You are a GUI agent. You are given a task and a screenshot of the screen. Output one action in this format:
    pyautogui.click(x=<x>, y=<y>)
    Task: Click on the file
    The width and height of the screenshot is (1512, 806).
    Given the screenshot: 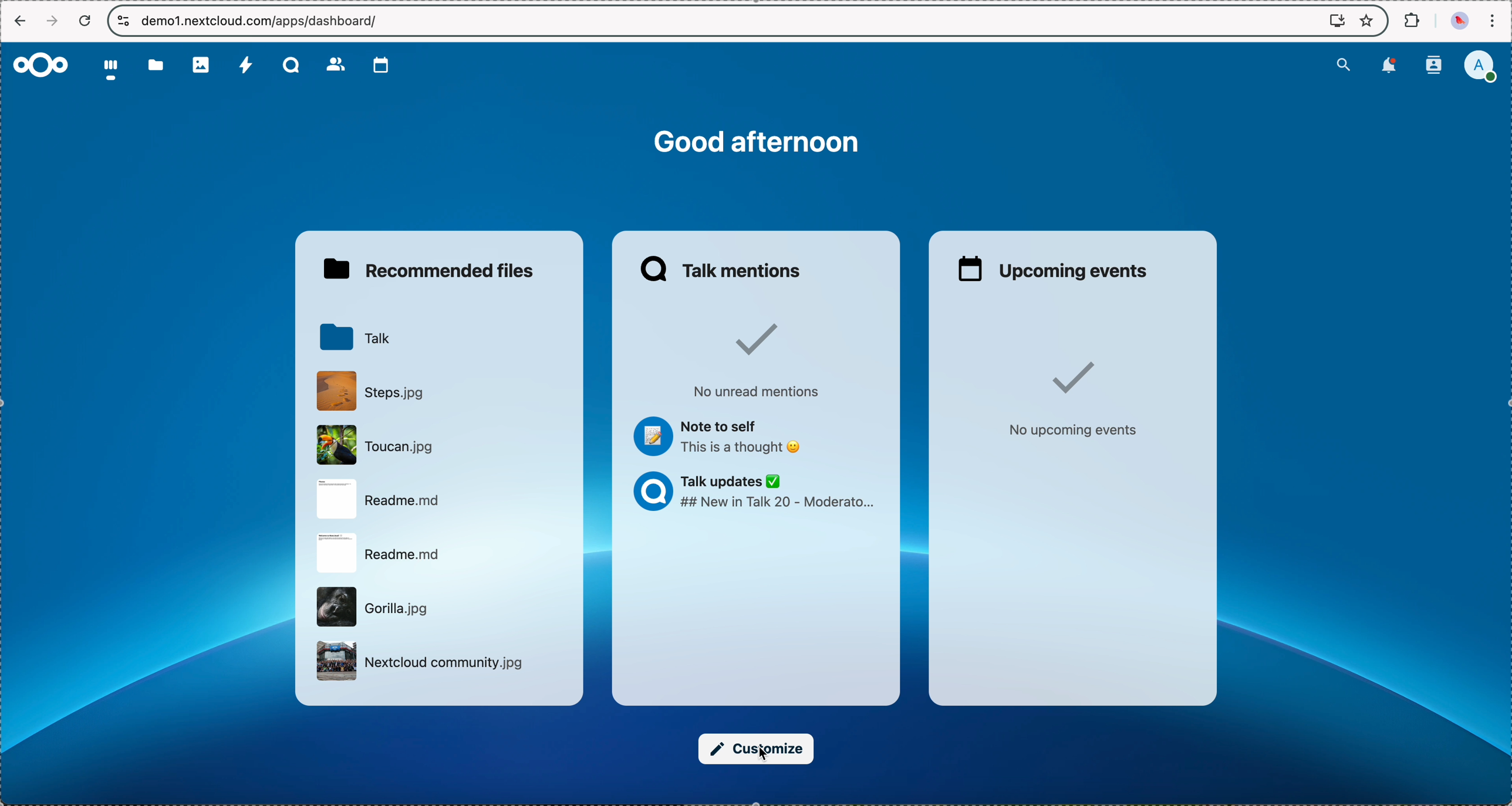 What is the action you would take?
    pyautogui.click(x=378, y=444)
    